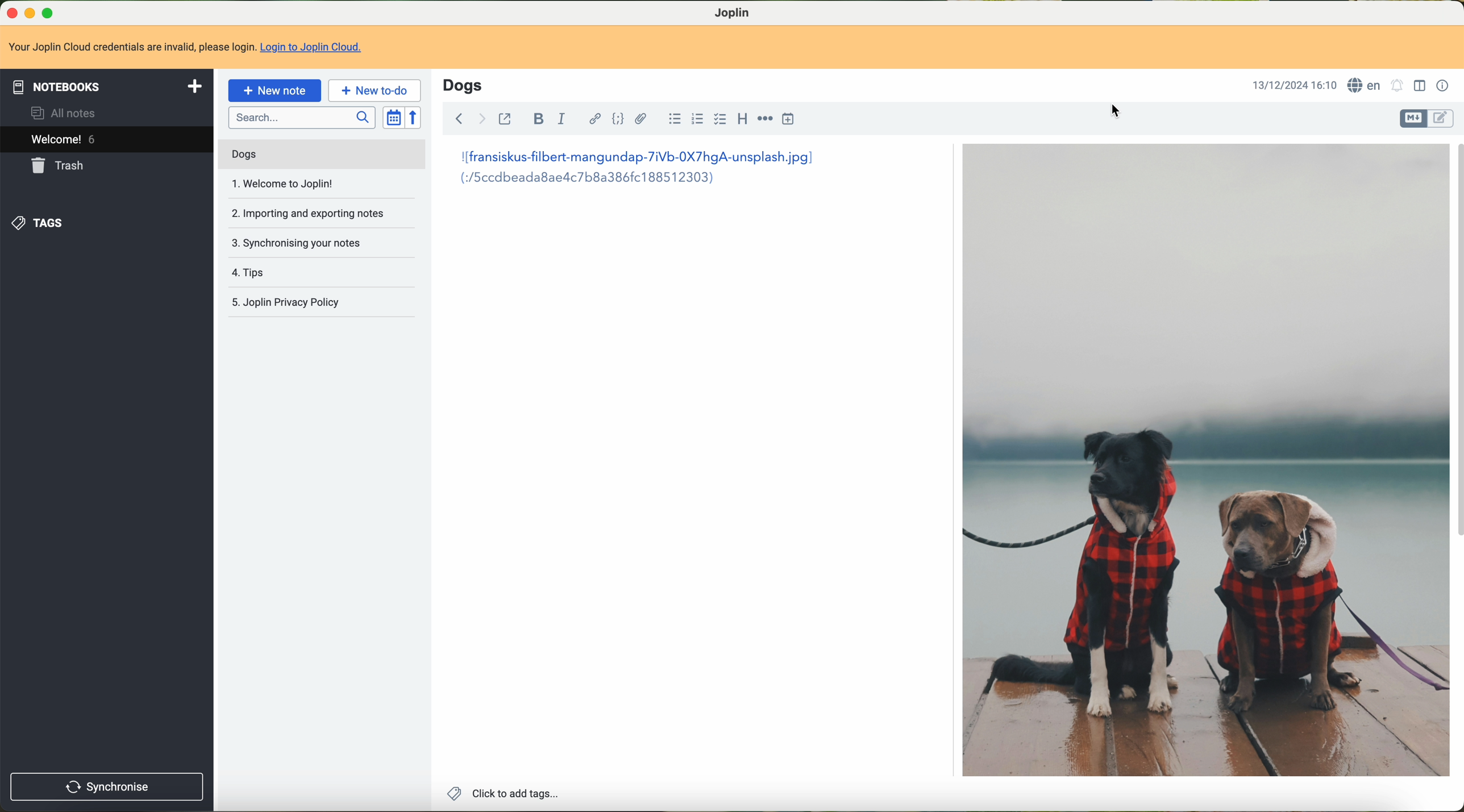  I want to click on Your Joplin Cloud credentials are invalid, please login. Login to Joplin Cloud, so click(190, 48).